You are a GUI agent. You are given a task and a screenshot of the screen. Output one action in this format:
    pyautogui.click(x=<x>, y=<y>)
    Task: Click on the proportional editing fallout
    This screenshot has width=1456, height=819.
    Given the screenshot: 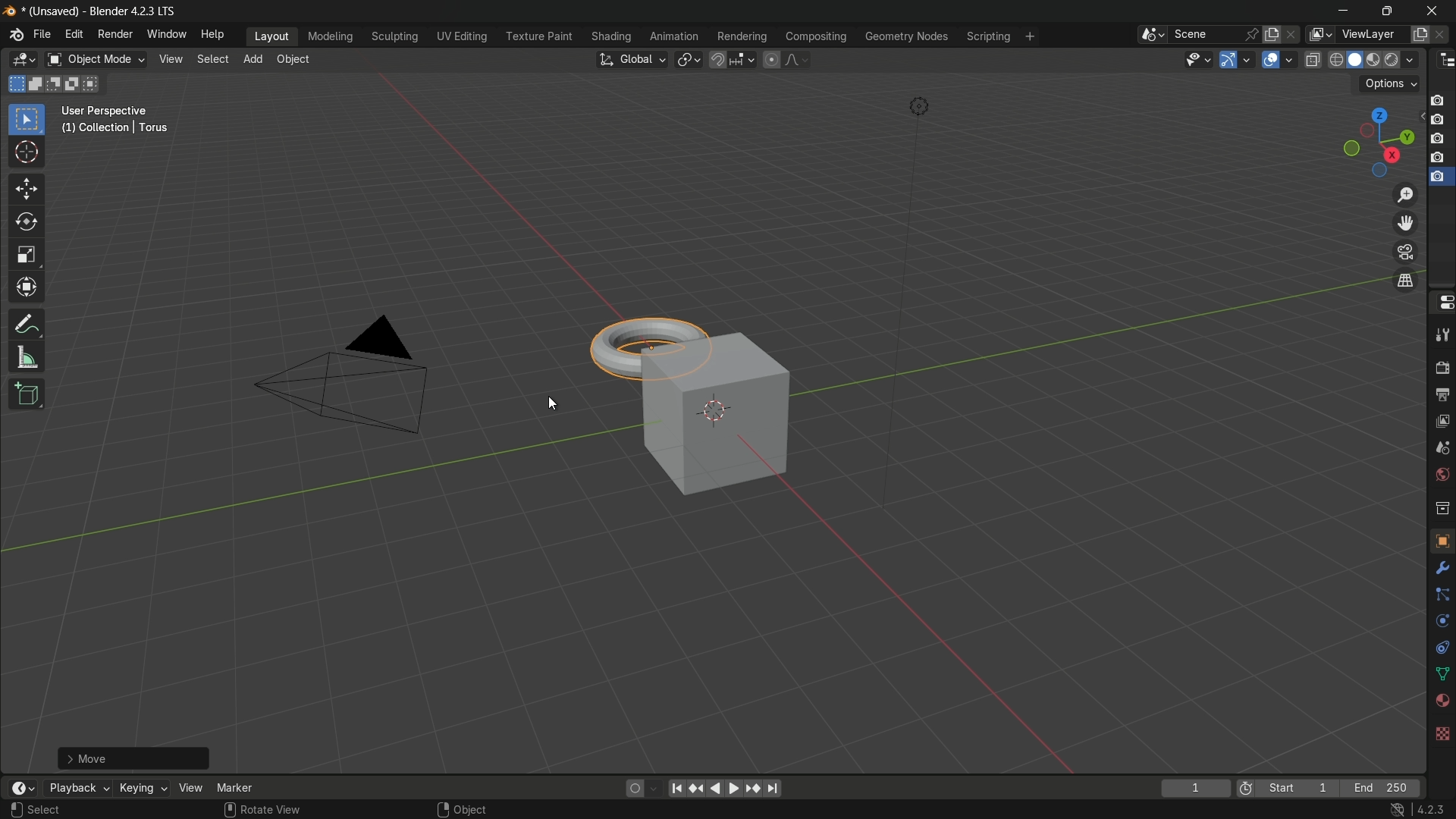 What is the action you would take?
    pyautogui.click(x=794, y=59)
    